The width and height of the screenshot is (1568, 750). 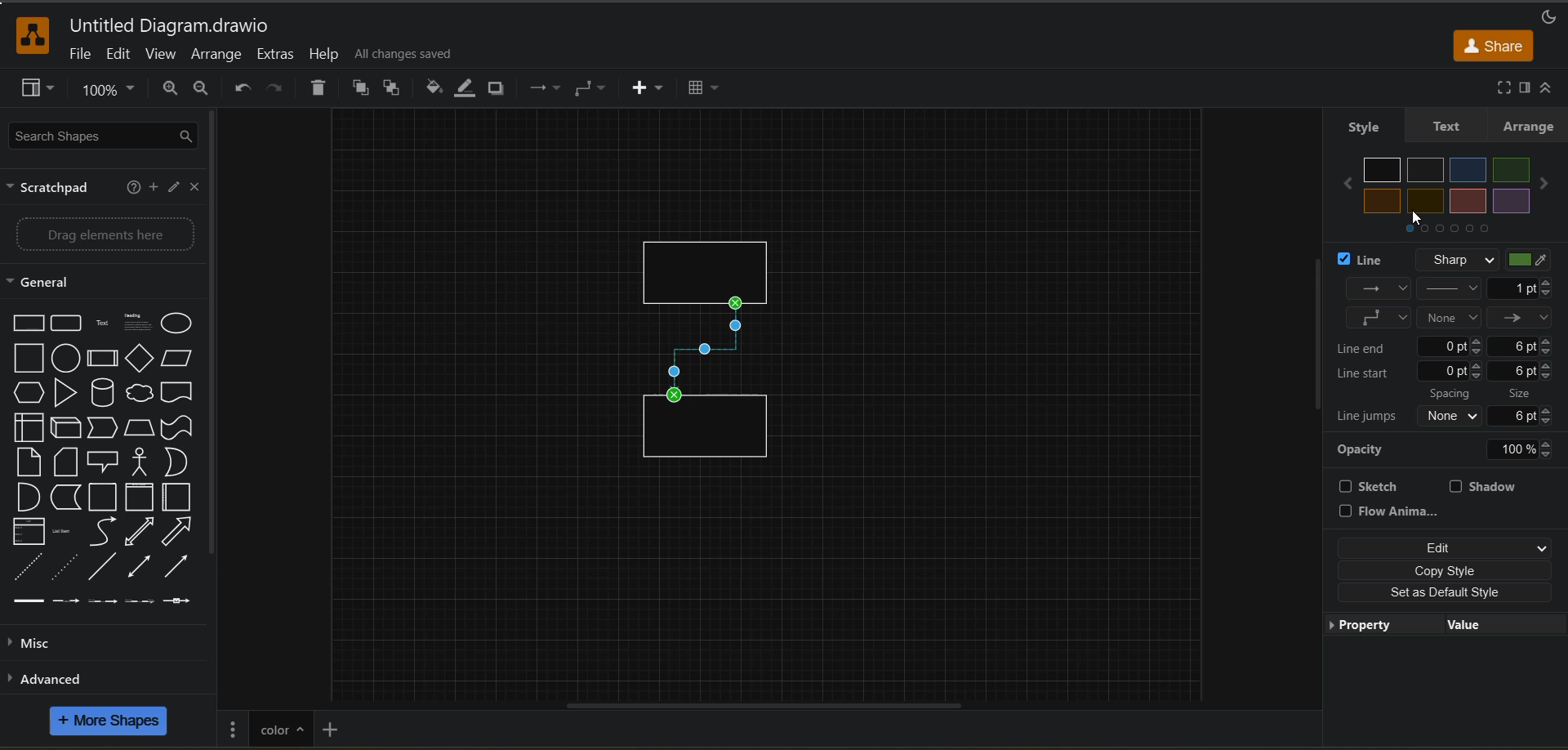 What do you see at coordinates (67, 498) in the screenshot?
I see `Data Storage` at bounding box center [67, 498].